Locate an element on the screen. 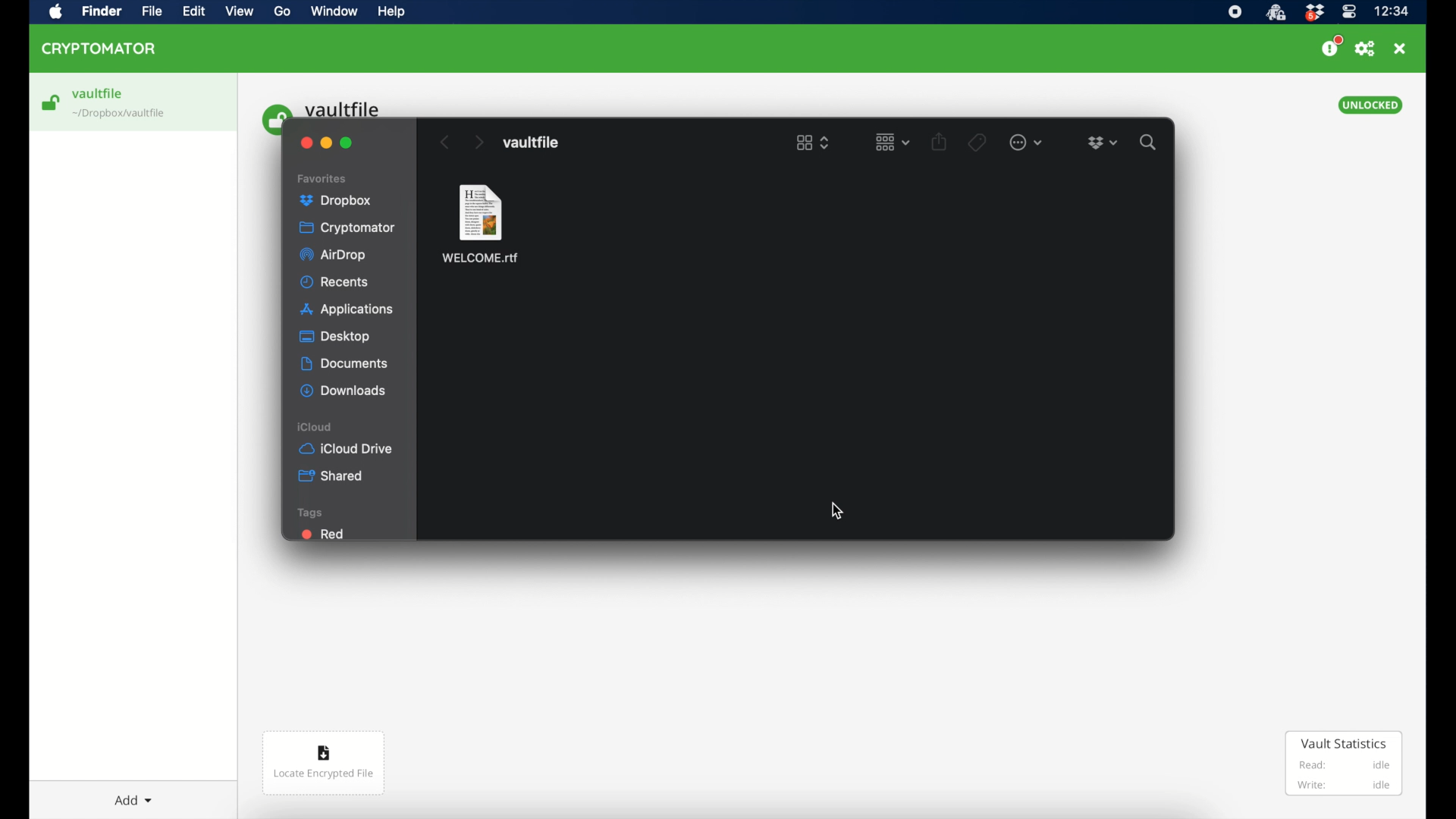 This screenshot has width=1456, height=819. vault statistics is located at coordinates (1344, 764).